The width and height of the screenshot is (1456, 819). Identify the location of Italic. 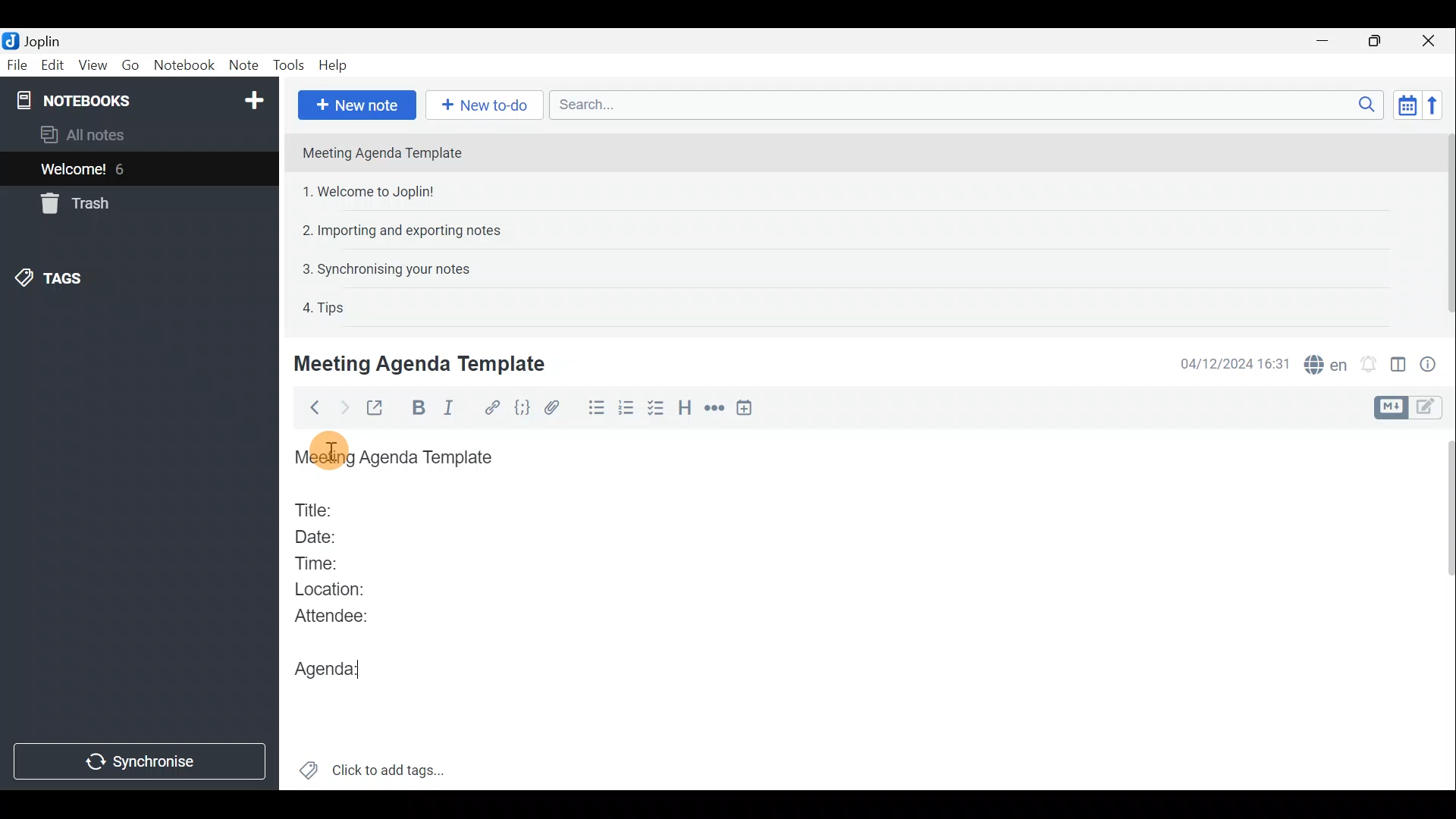
(457, 409).